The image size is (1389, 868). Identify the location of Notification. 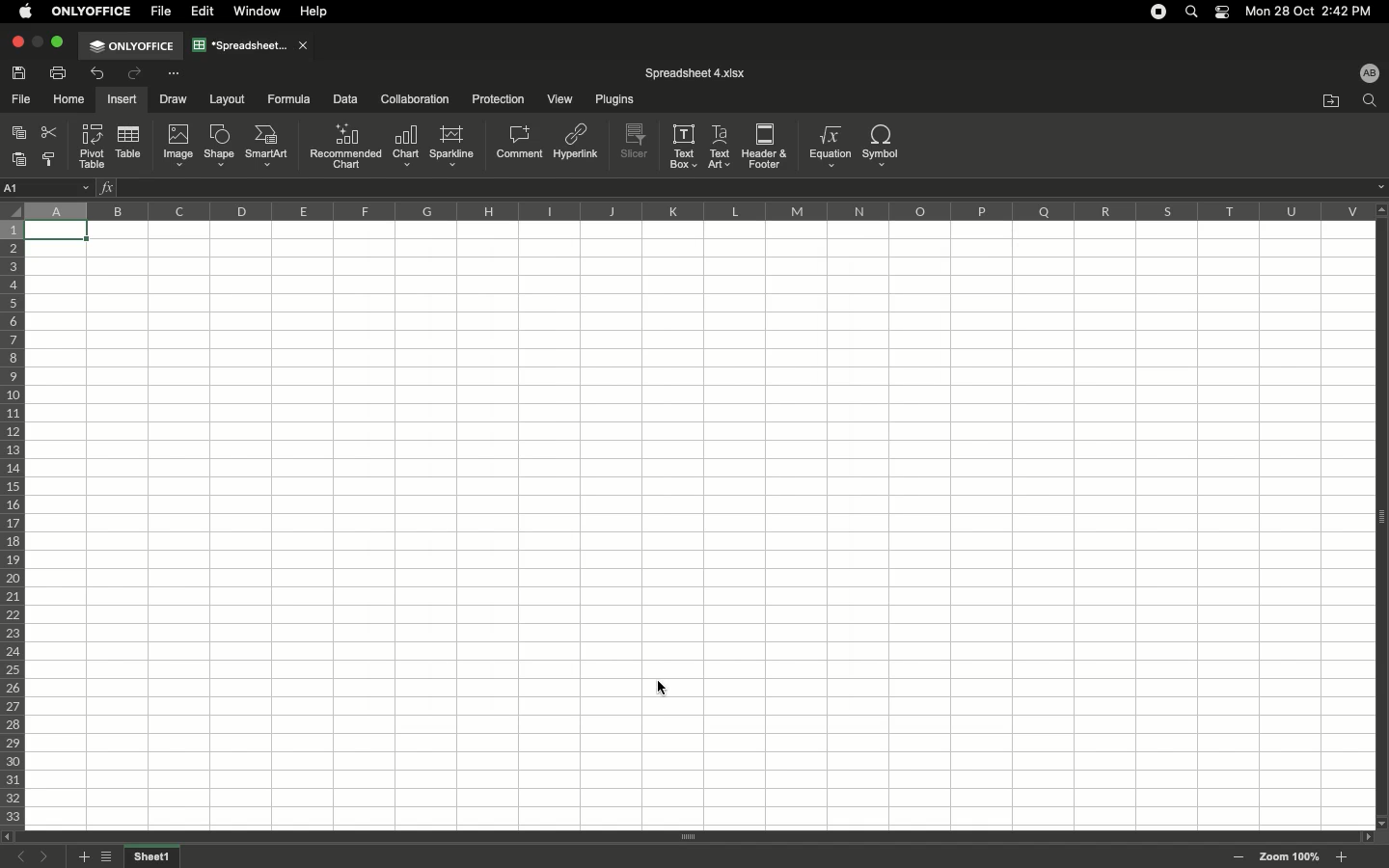
(1224, 12).